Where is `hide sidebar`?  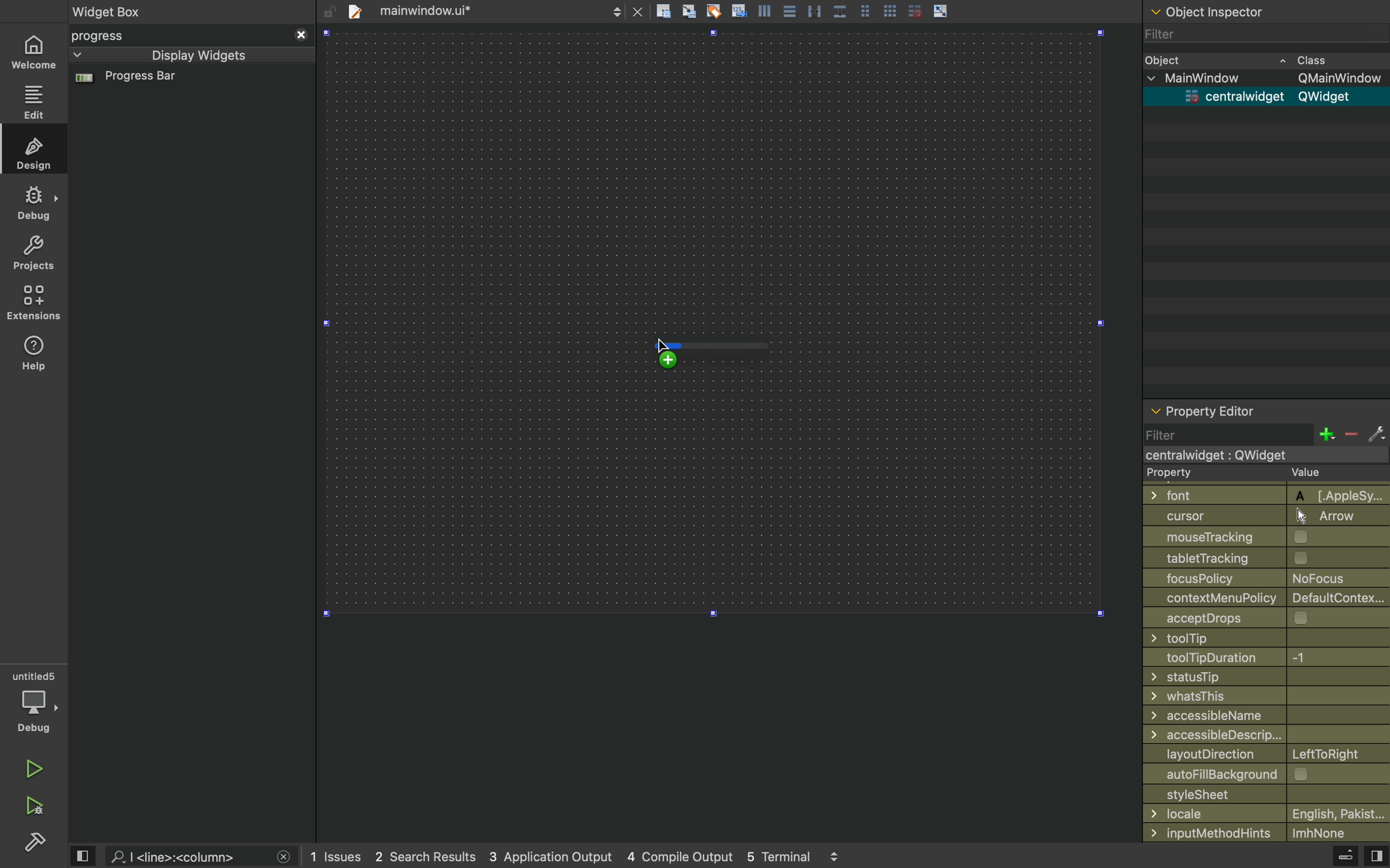 hide sidebar is located at coordinates (1334, 858).